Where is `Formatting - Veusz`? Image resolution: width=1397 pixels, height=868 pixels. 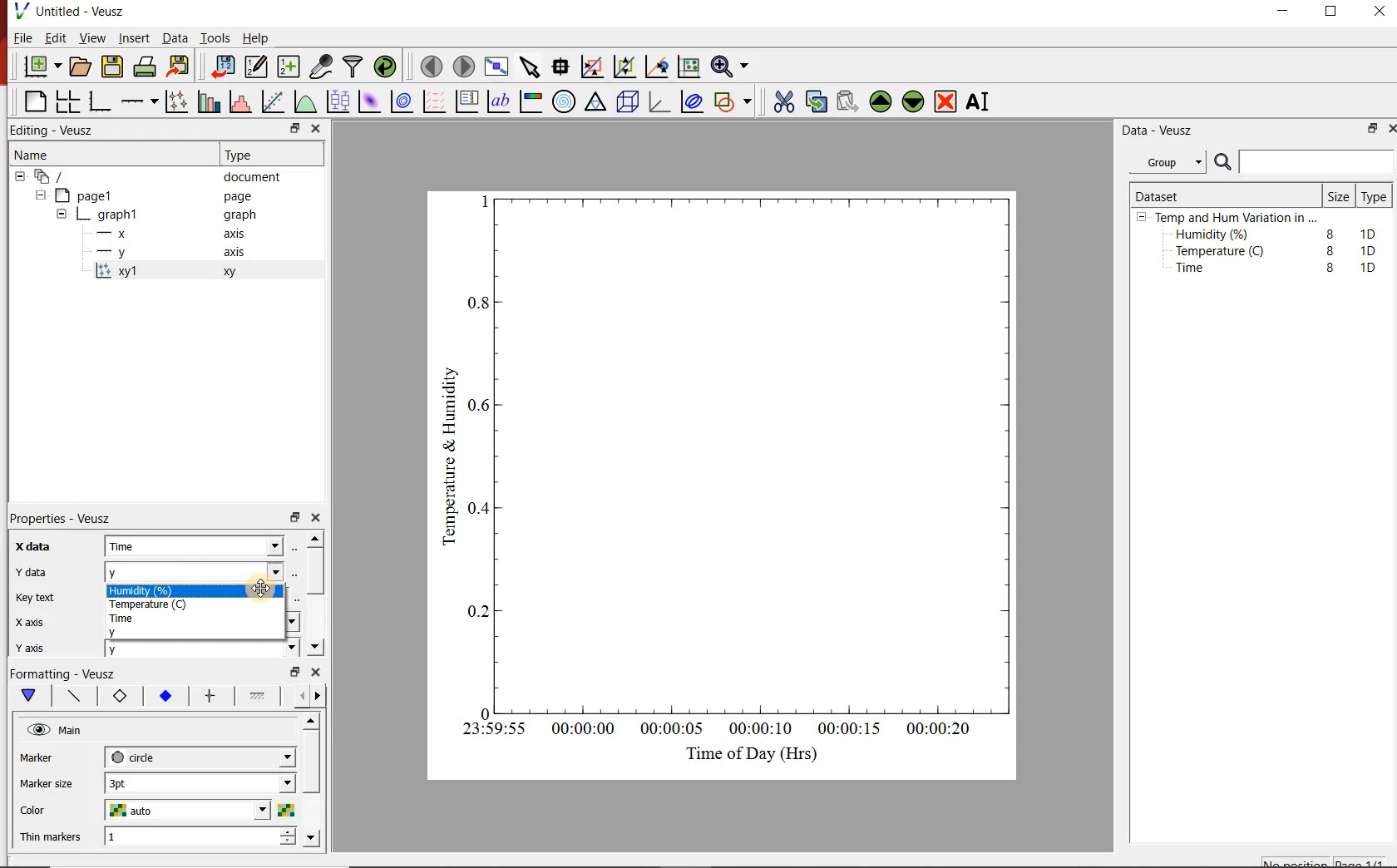 Formatting - Veusz is located at coordinates (67, 675).